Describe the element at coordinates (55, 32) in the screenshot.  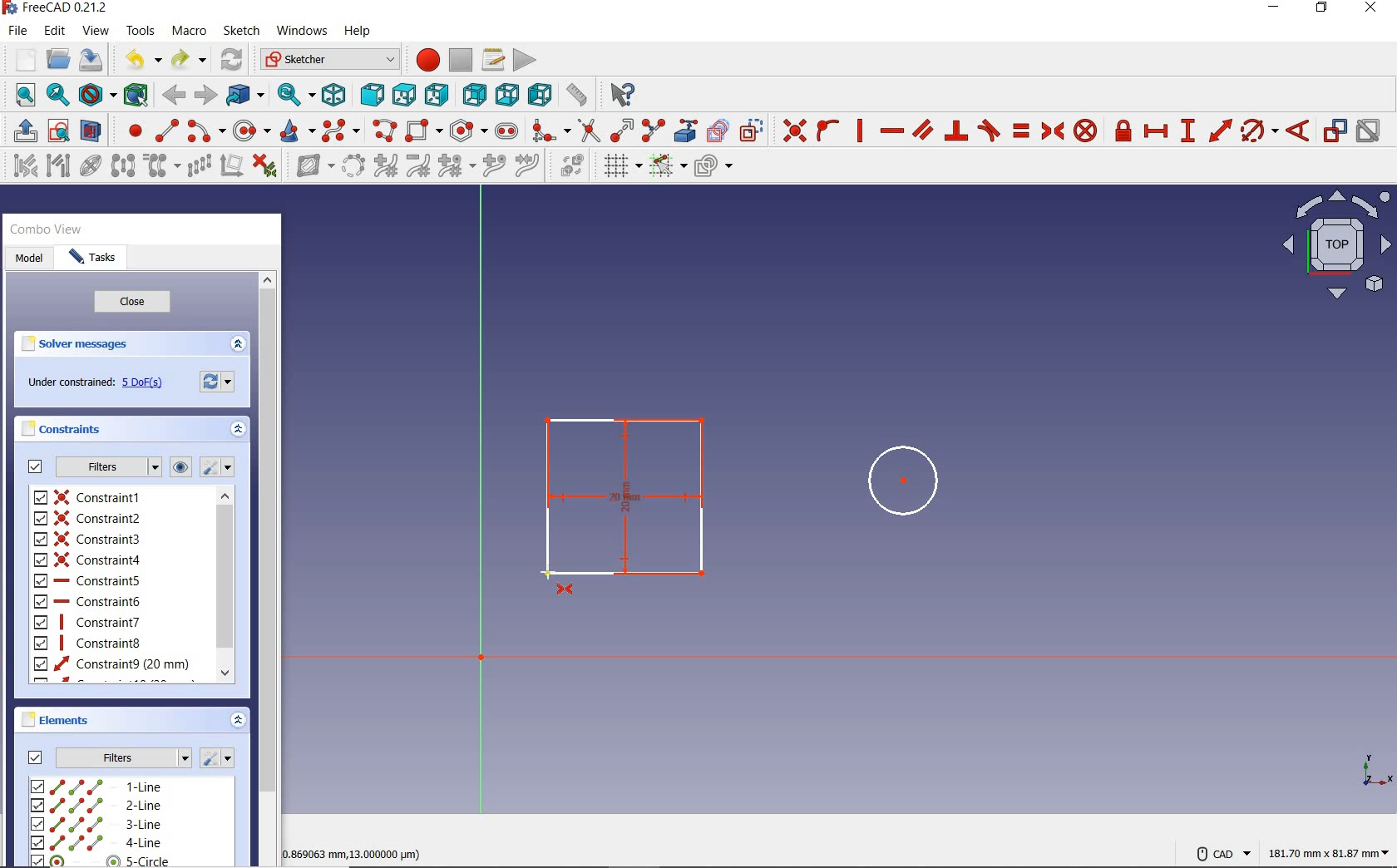
I see `edit` at that location.